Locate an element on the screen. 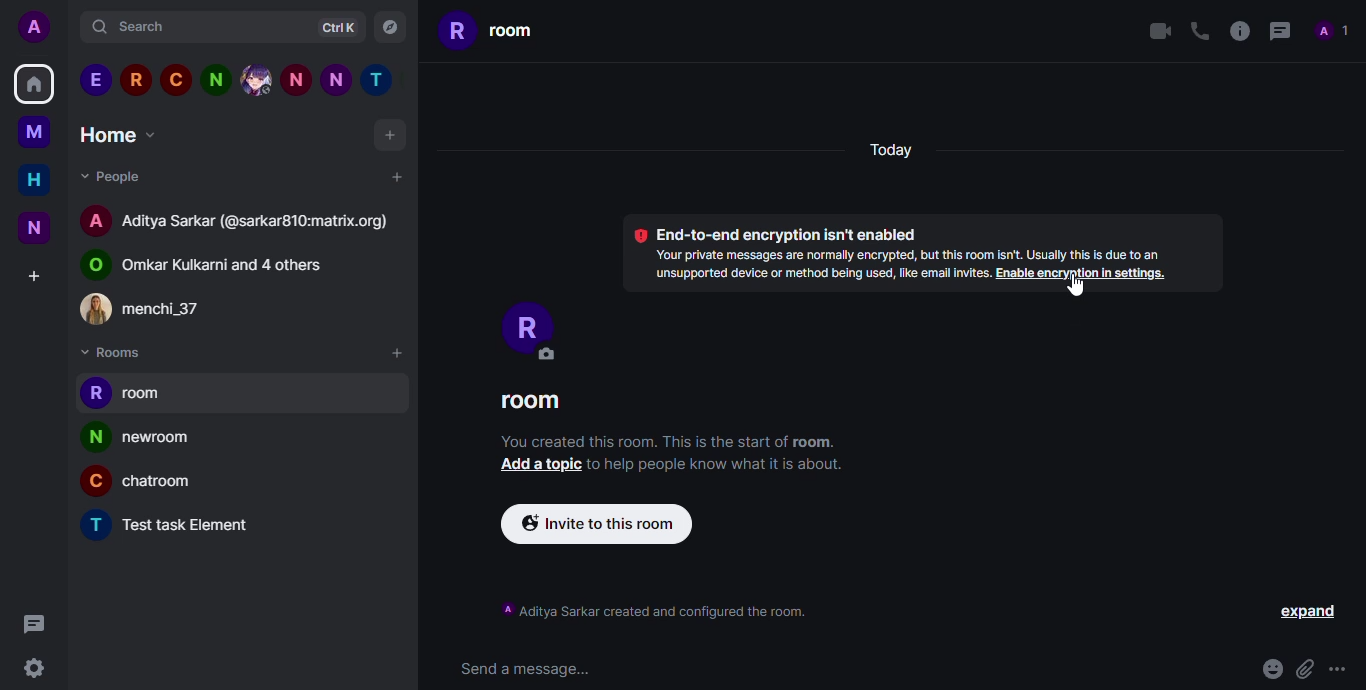 The image size is (1366, 690). profile is located at coordinates (521, 320).